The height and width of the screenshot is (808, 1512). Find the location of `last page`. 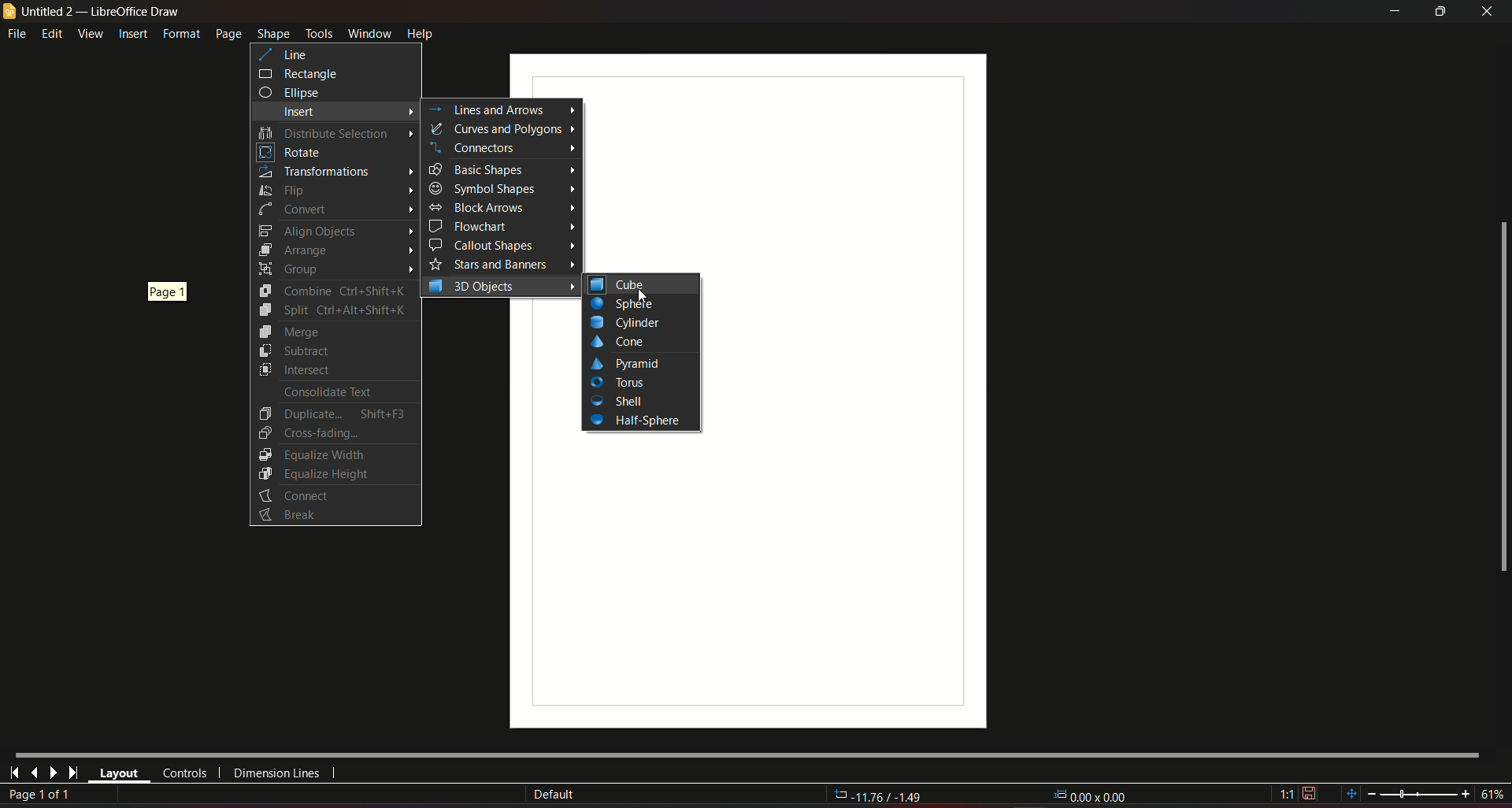

last page is located at coordinates (72, 773).